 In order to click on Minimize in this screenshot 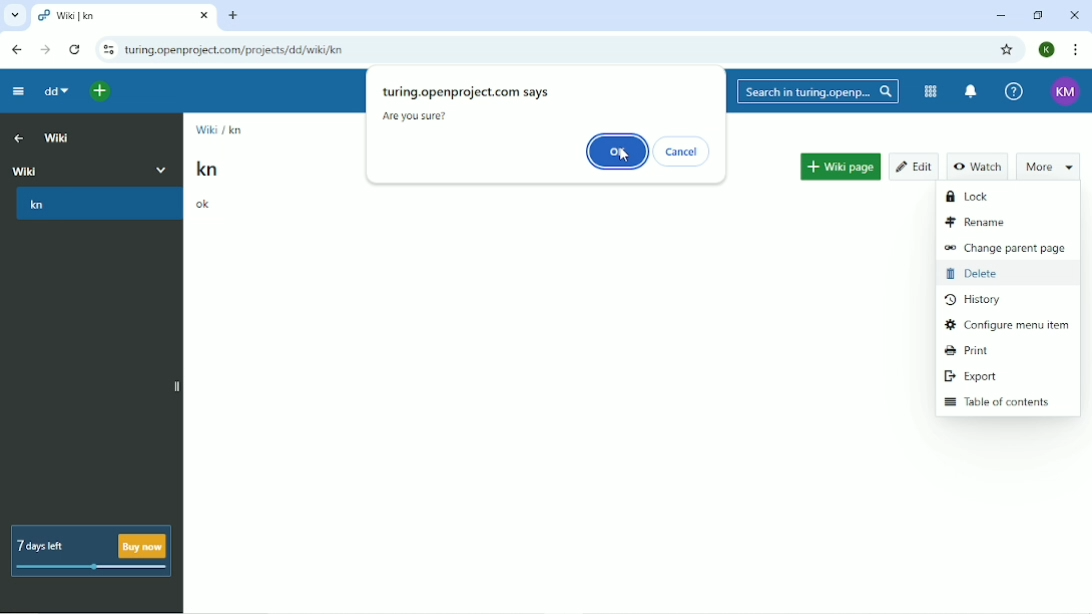, I will do `click(999, 15)`.